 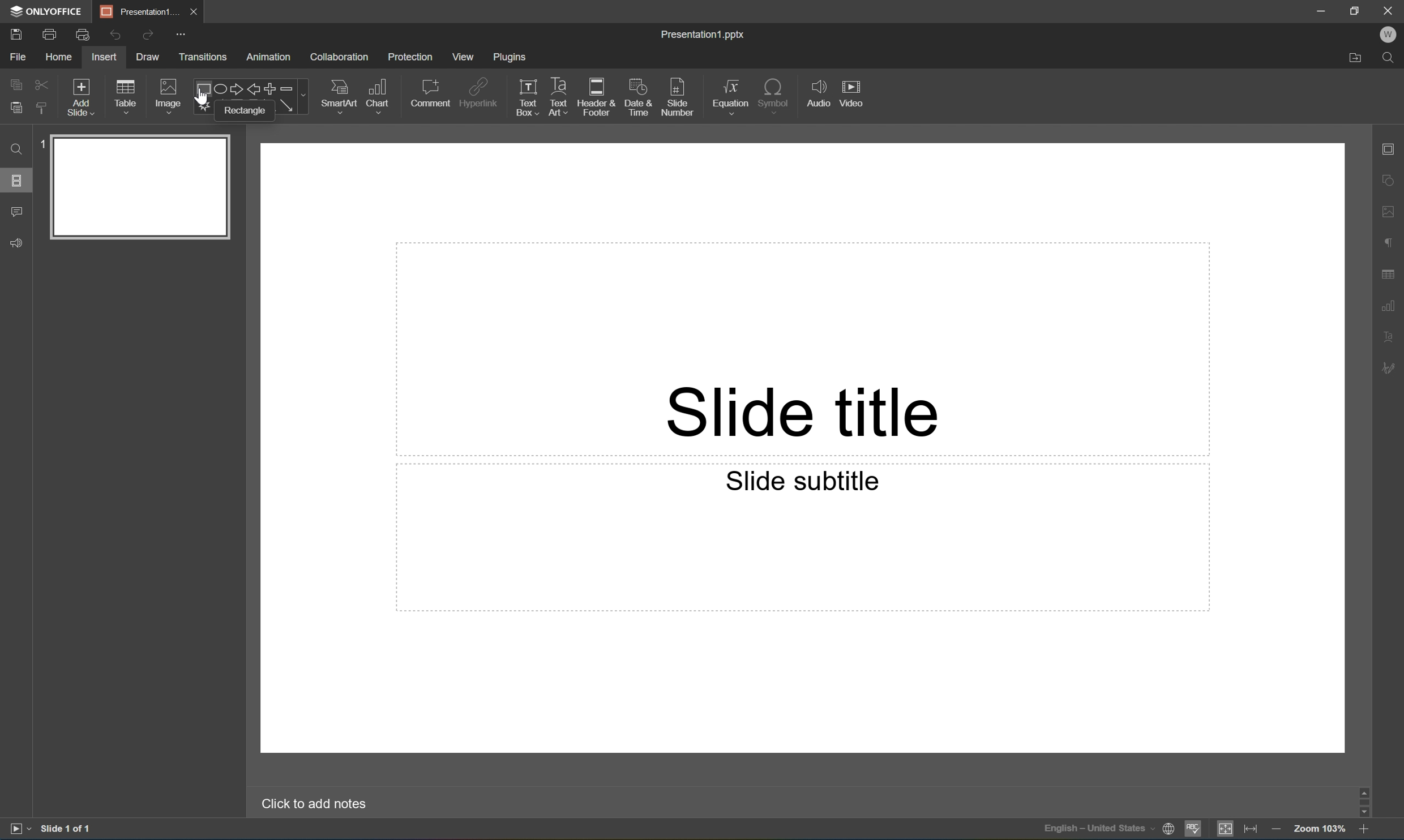 I want to click on Quick Print, so click(x=82, y=34).